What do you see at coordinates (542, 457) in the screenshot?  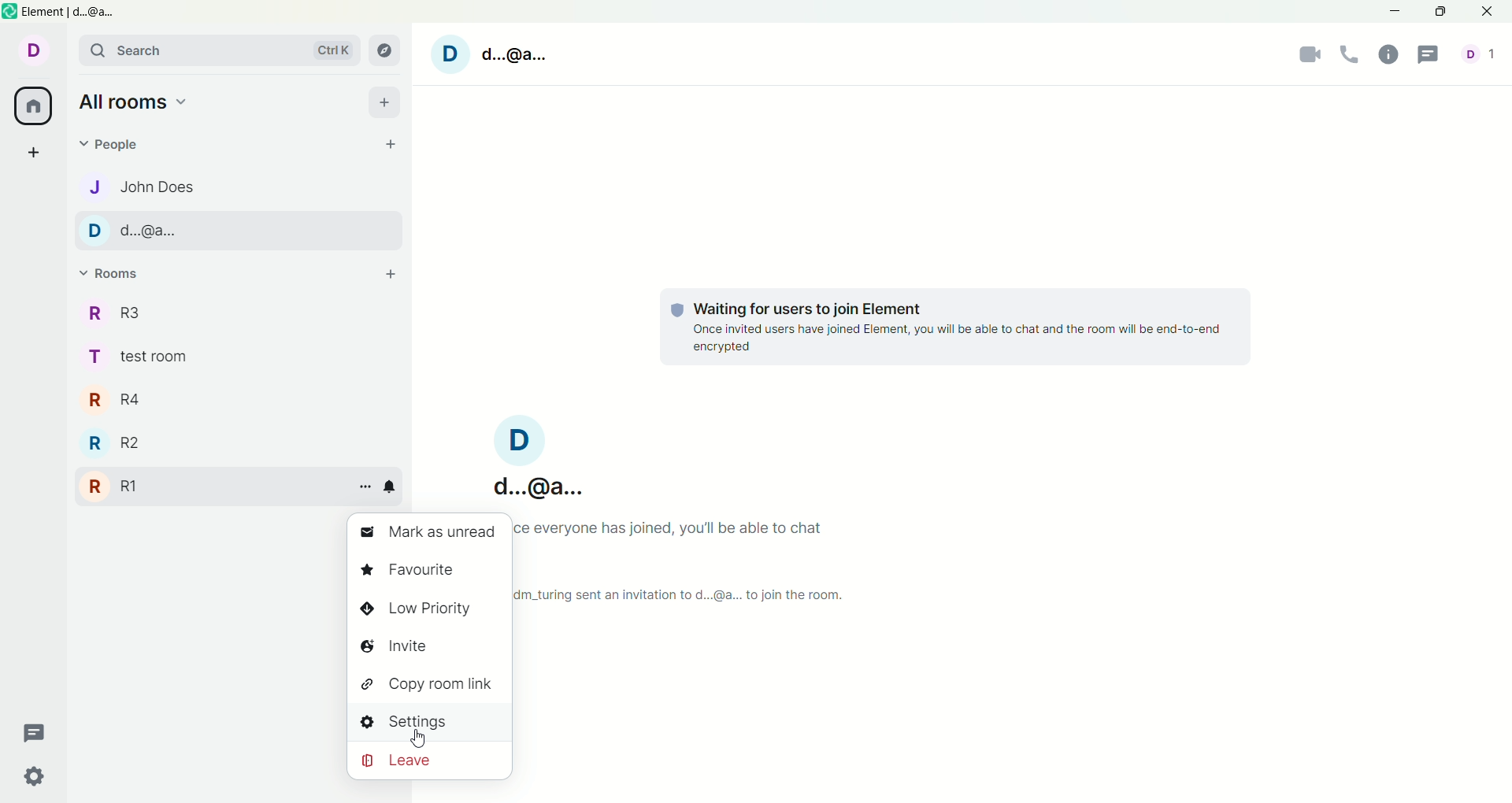 I see `D
d..@a..` at bounding box center [542, 457].